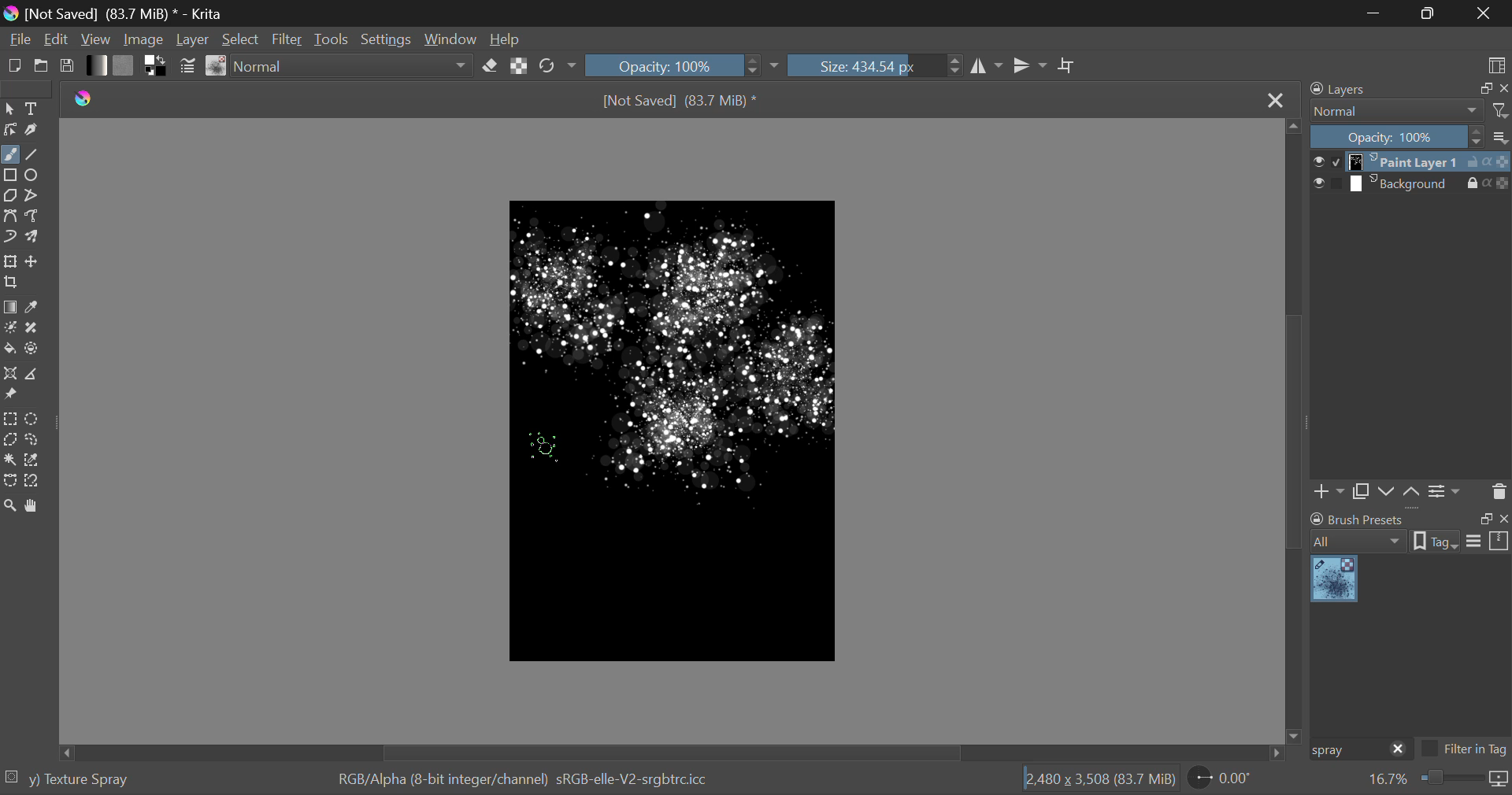 The height and width of the screenshot is (795, 1512). What do you see at coordinates (11, 482) in the screenshot?
I see `Bezier Curve Selection` at bounding box center [11, 482].